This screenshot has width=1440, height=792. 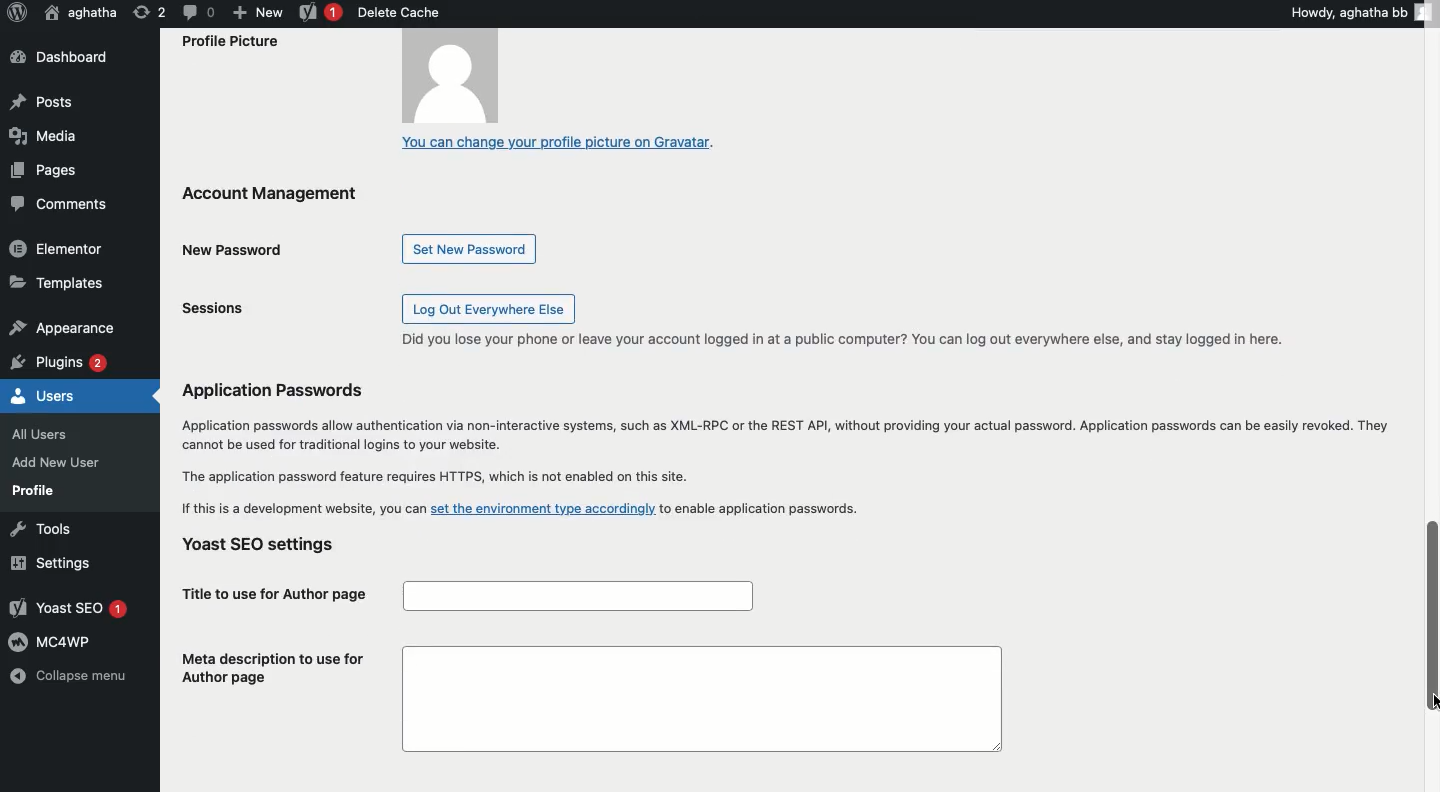 I want to click on Title to use for author page, so click(x=464, y=596).